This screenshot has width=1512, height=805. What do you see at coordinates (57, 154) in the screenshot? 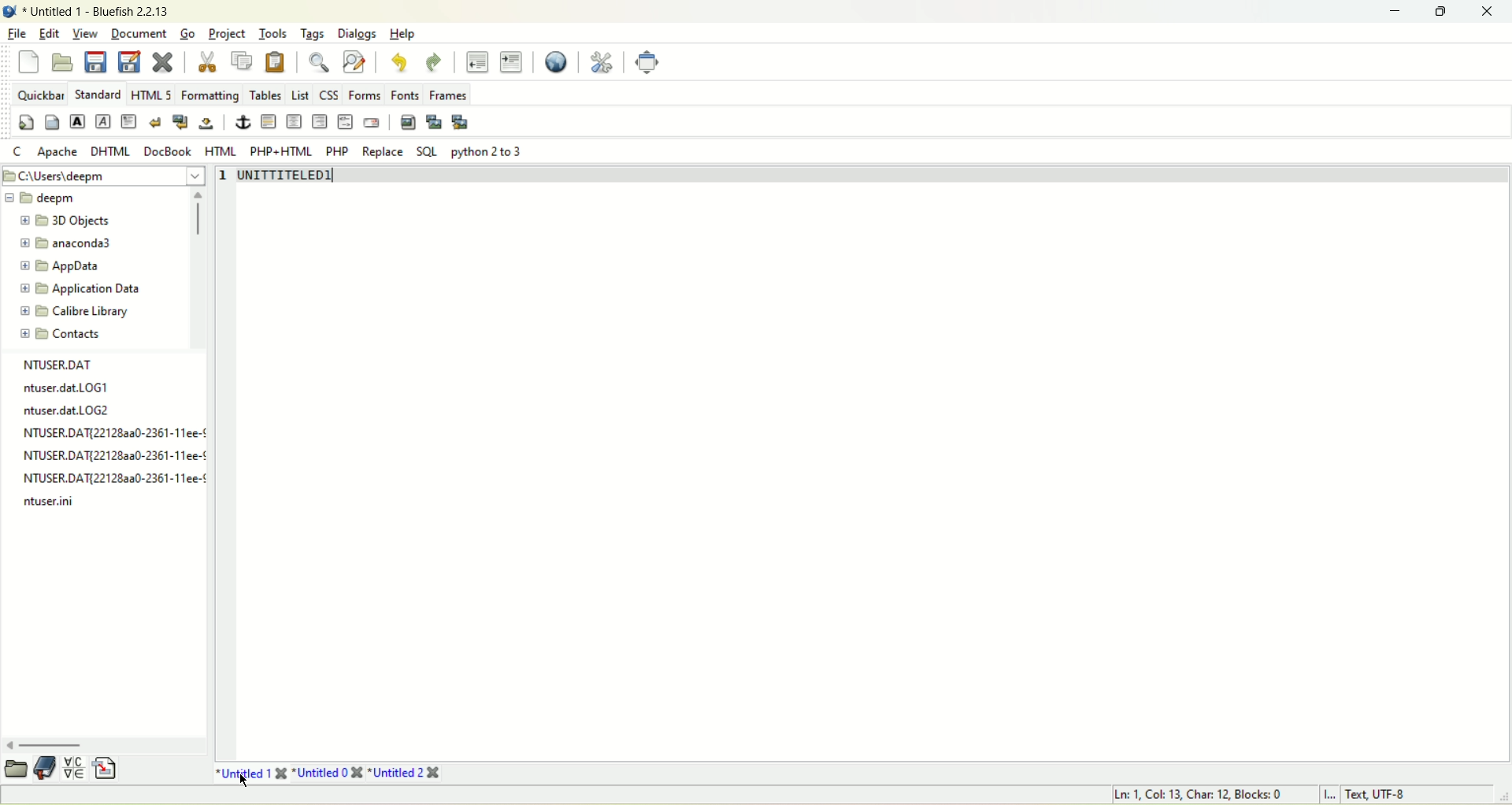
I see `Apache` at bounding box center [57, 154].